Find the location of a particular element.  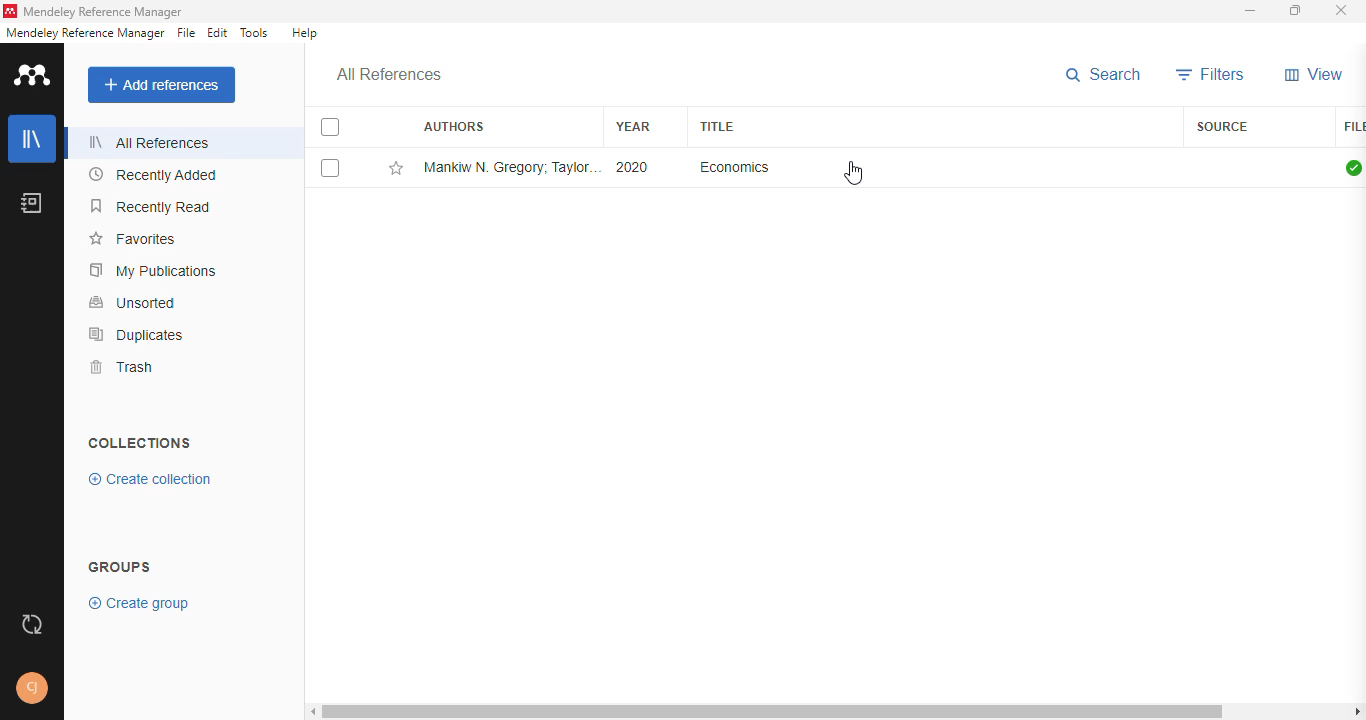

my publications is located at coordinates (153, 270).